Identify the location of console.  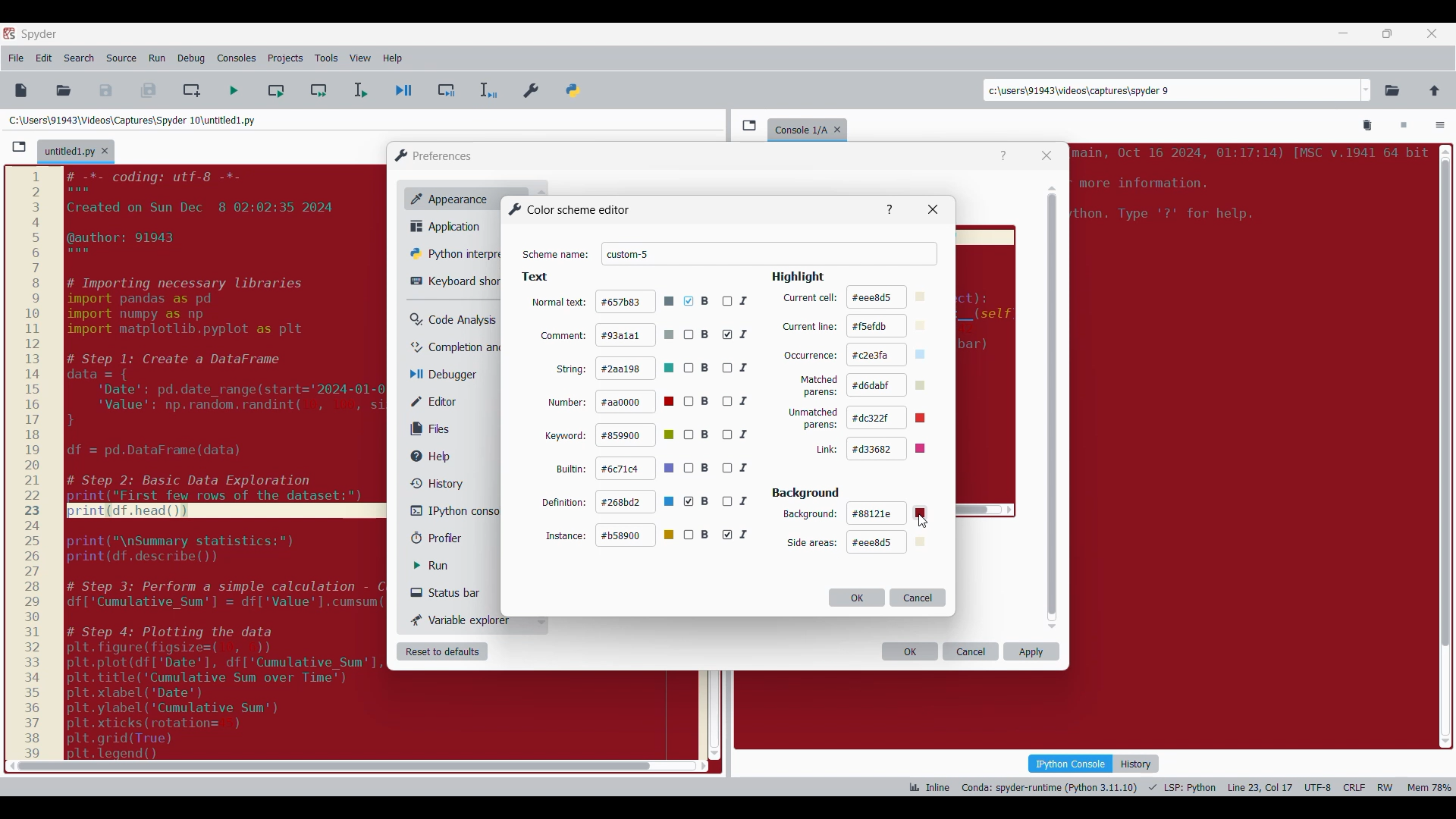
(798, 128).